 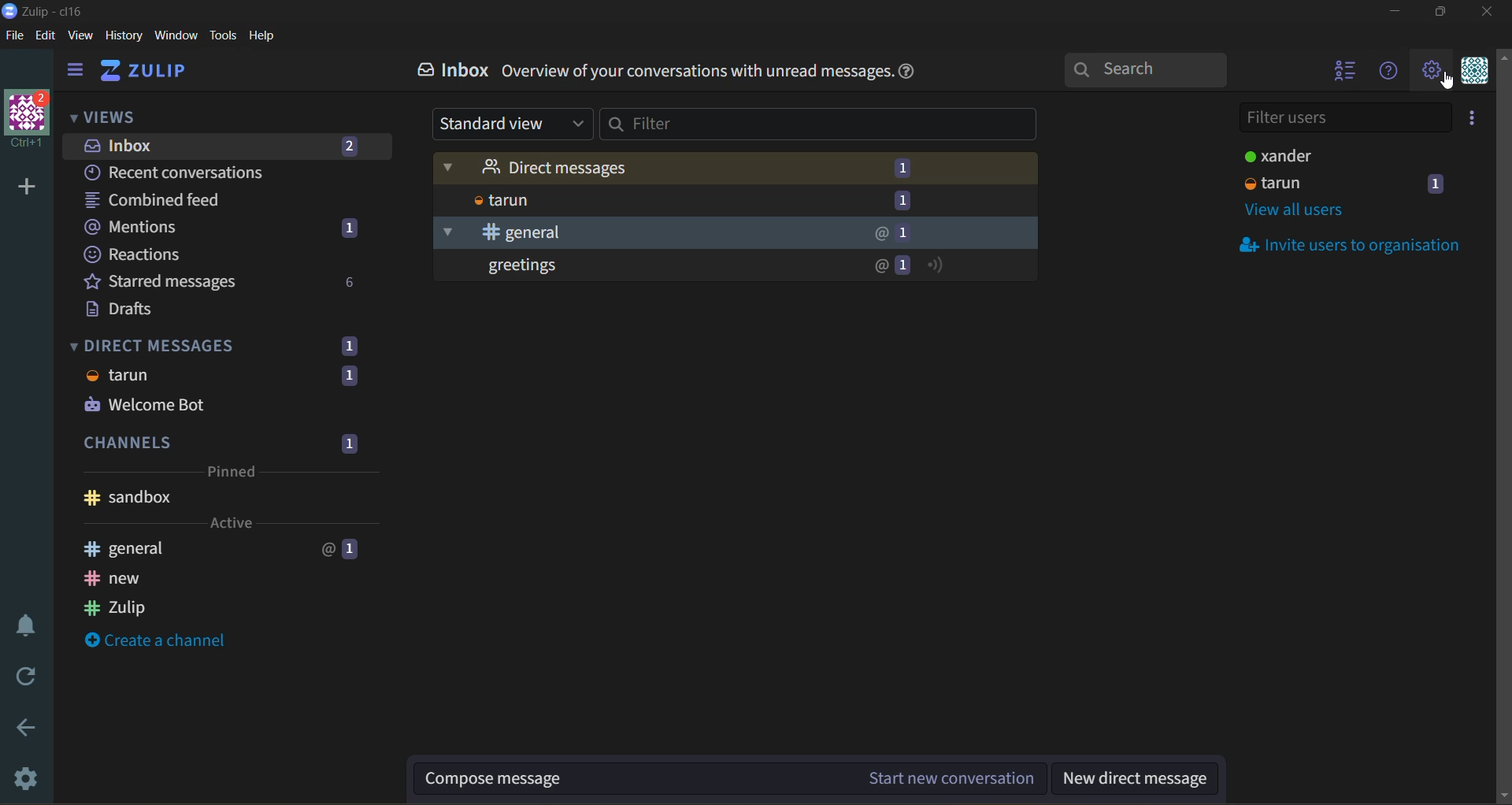 I want to click on history, so click(x=122, y=37).